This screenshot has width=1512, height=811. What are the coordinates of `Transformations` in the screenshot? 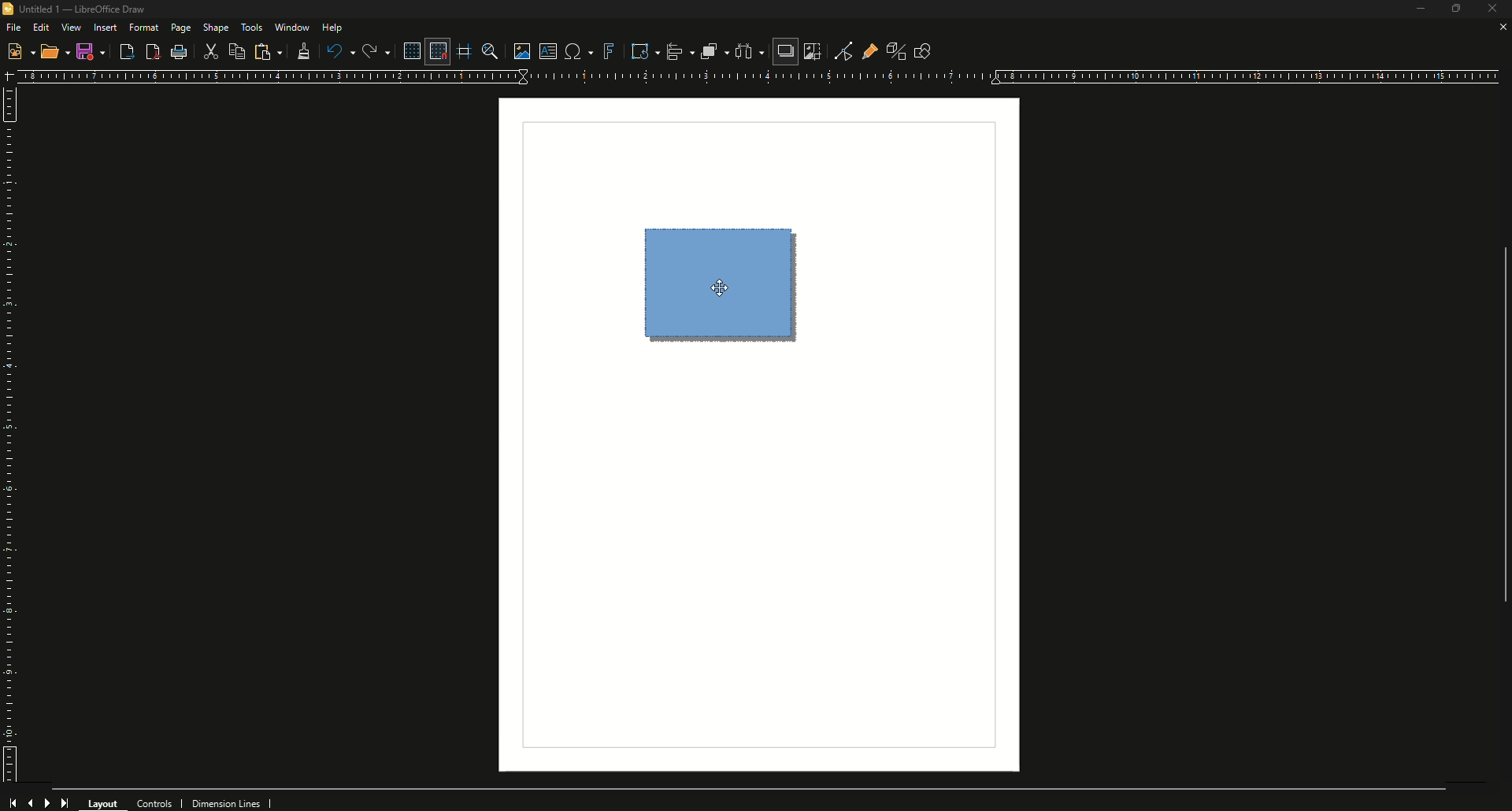 It's located at (638, 50).